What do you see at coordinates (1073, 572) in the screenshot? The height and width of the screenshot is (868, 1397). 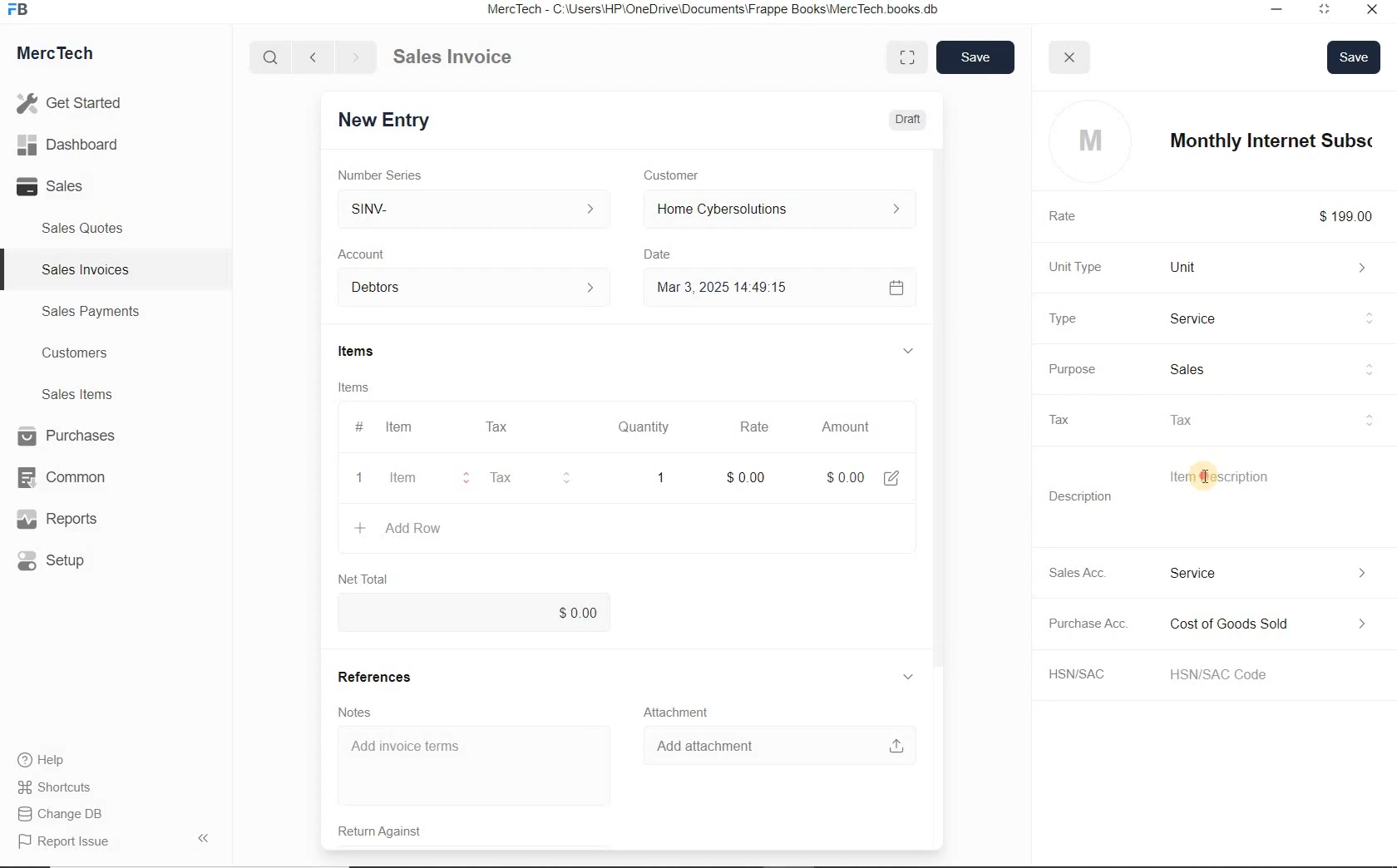 I see `Sales Acc.` at bounding box center [1073, 572].